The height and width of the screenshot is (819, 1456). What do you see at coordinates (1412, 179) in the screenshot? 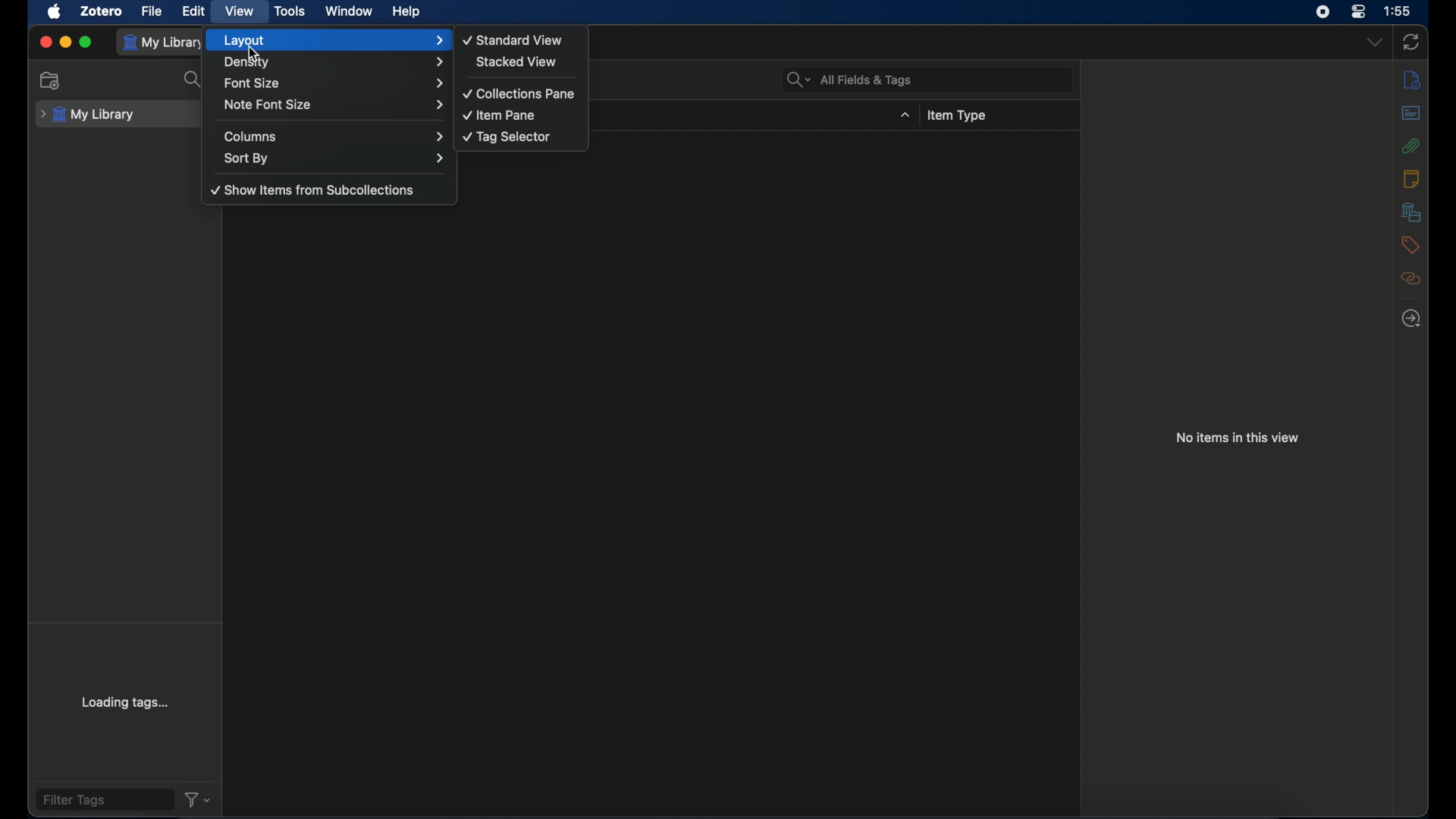
I see `notes` at bounding box center [1412, 179].